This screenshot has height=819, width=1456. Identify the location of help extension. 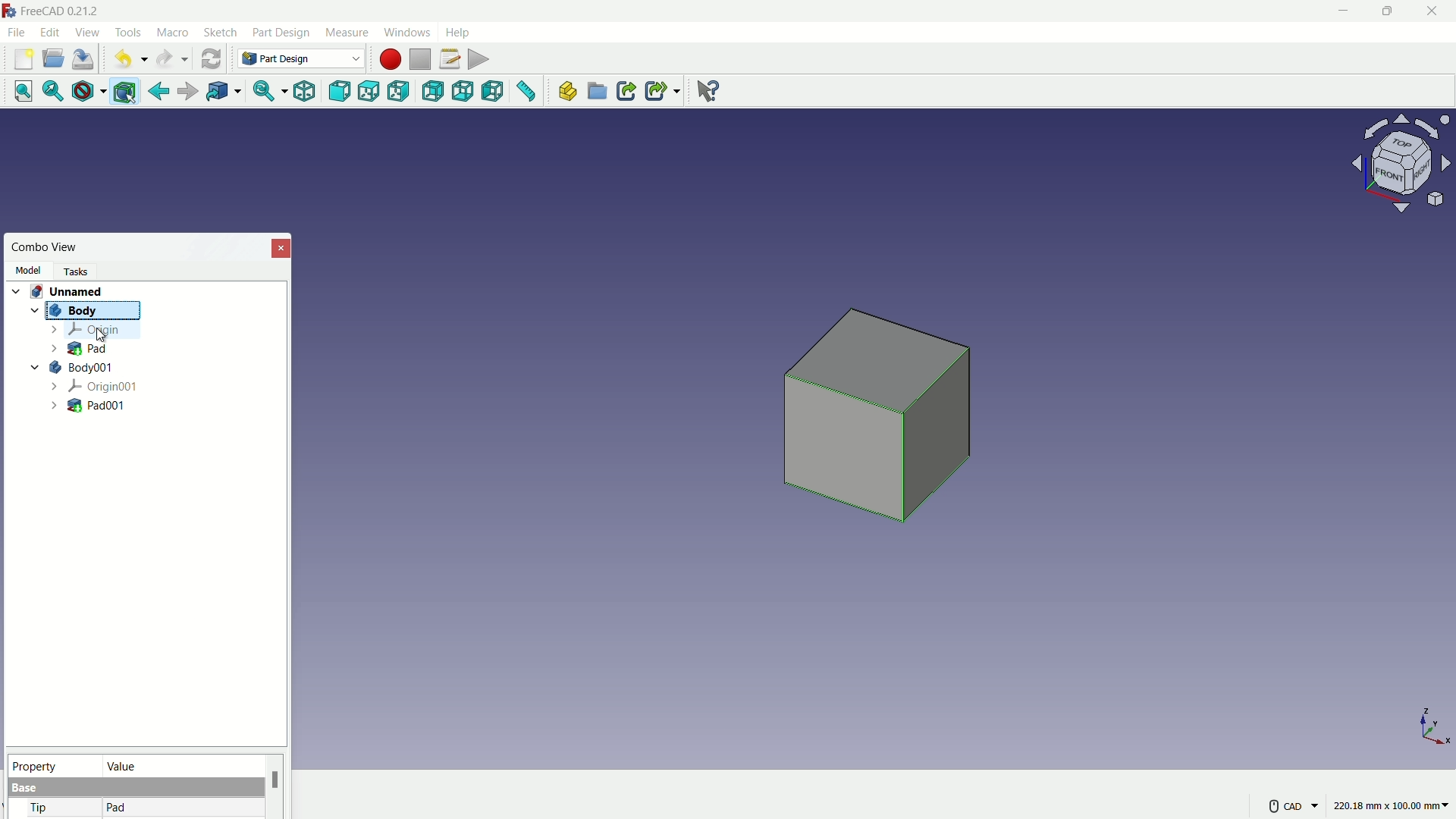
(704, 89).